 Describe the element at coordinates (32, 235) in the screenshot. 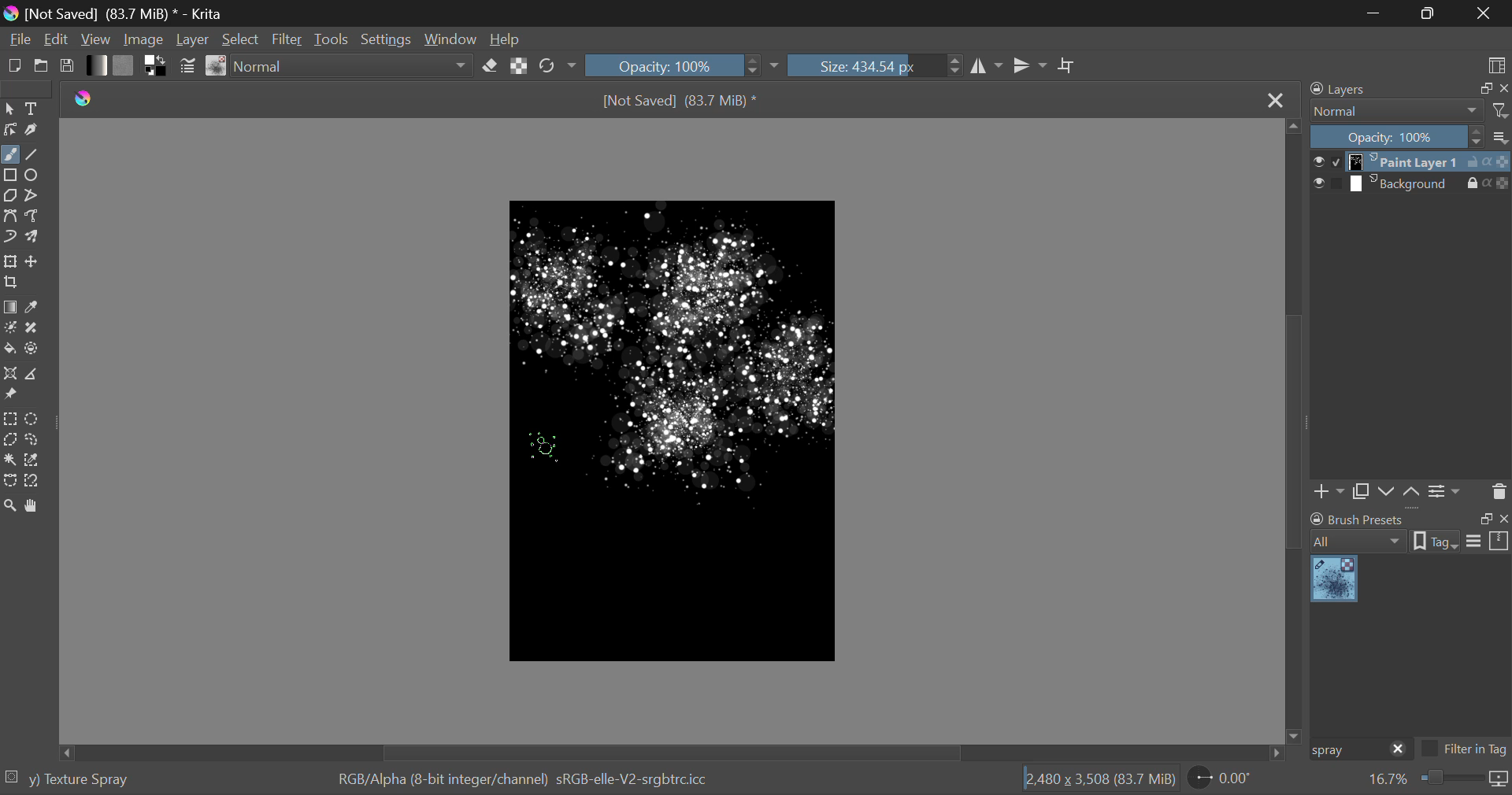

I see `Multibrush` at that location.